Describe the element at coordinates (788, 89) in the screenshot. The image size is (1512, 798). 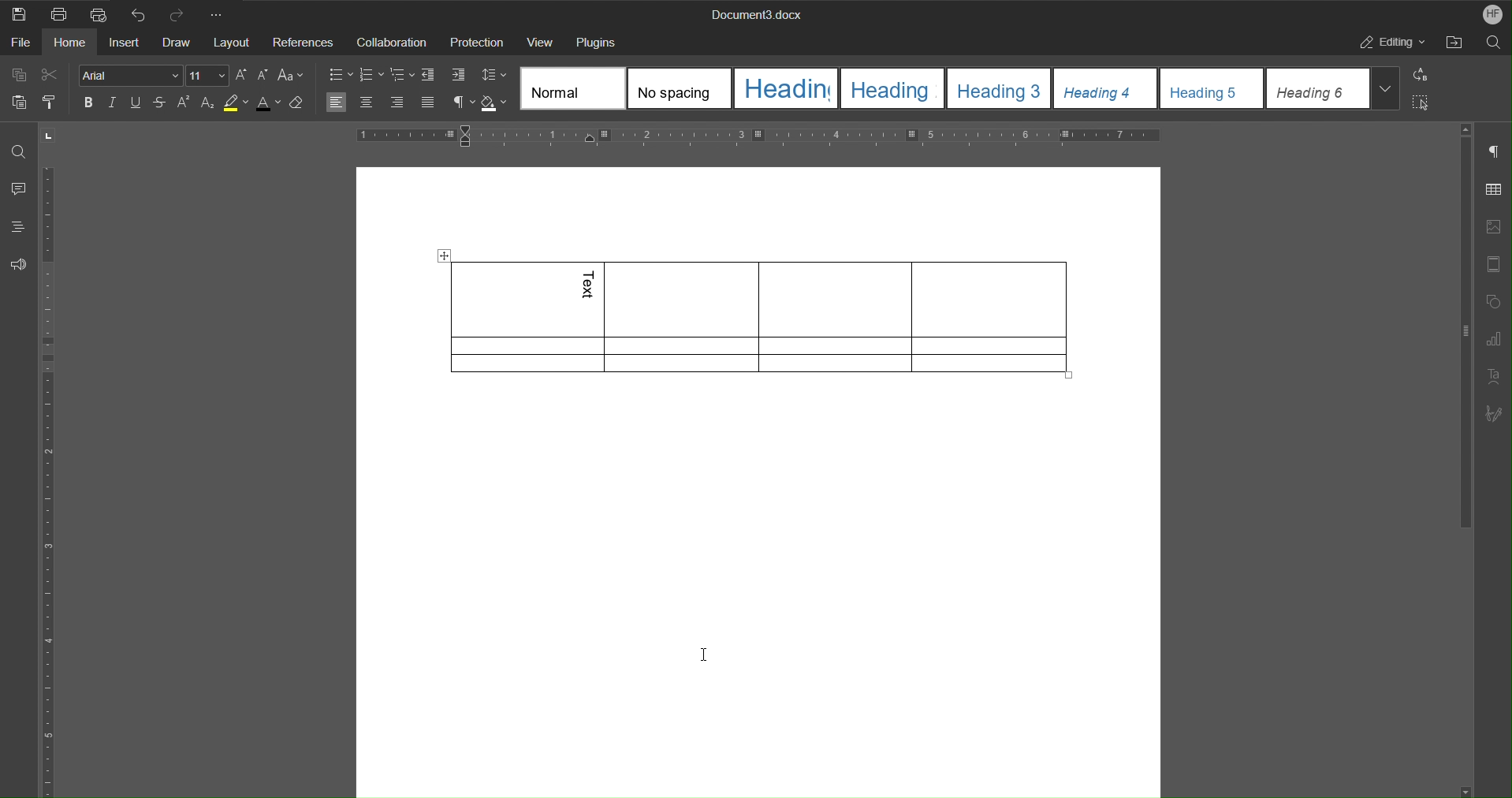
I see `Heading 1` at that location.